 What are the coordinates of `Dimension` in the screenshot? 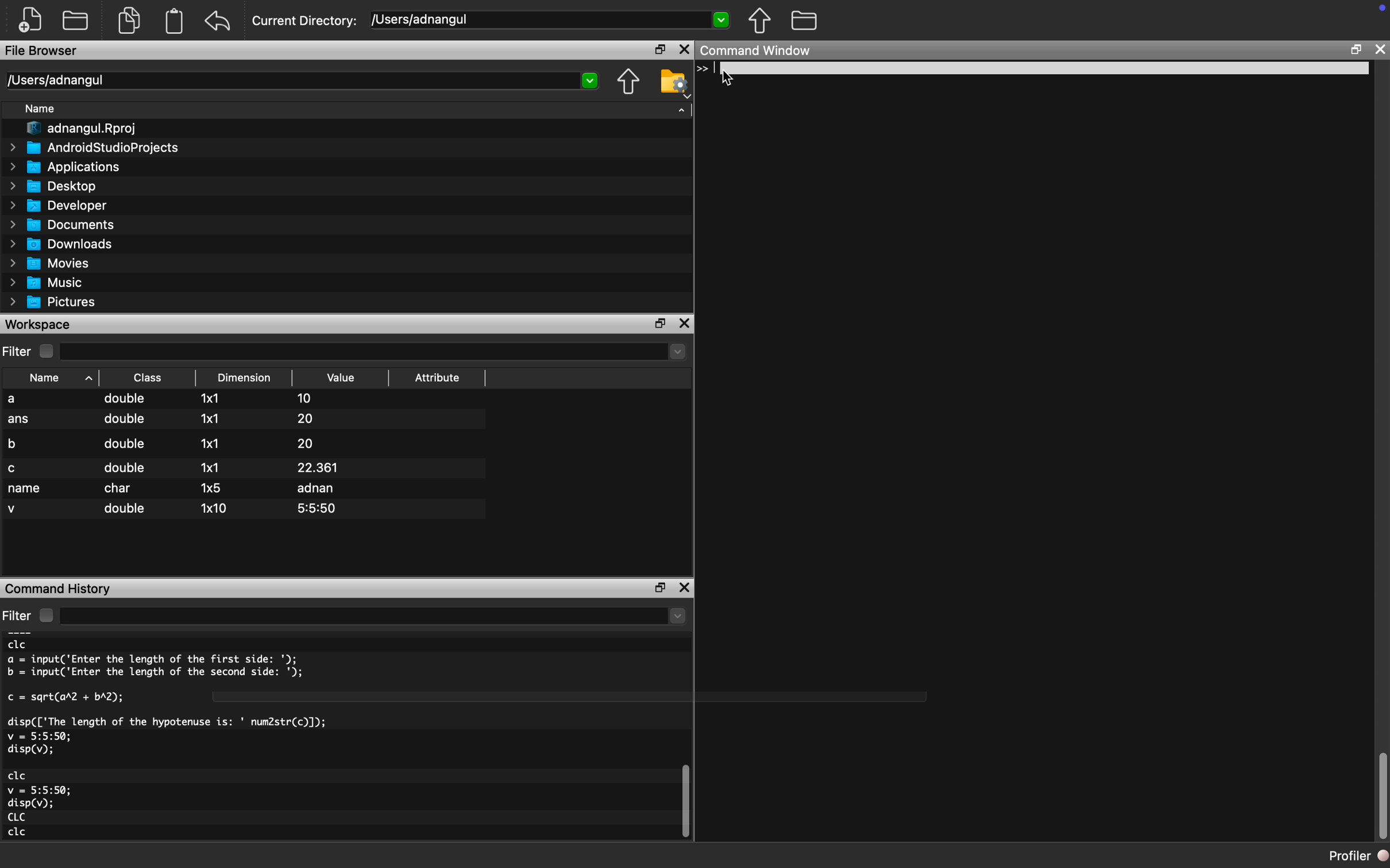 It's located at (245, 377).